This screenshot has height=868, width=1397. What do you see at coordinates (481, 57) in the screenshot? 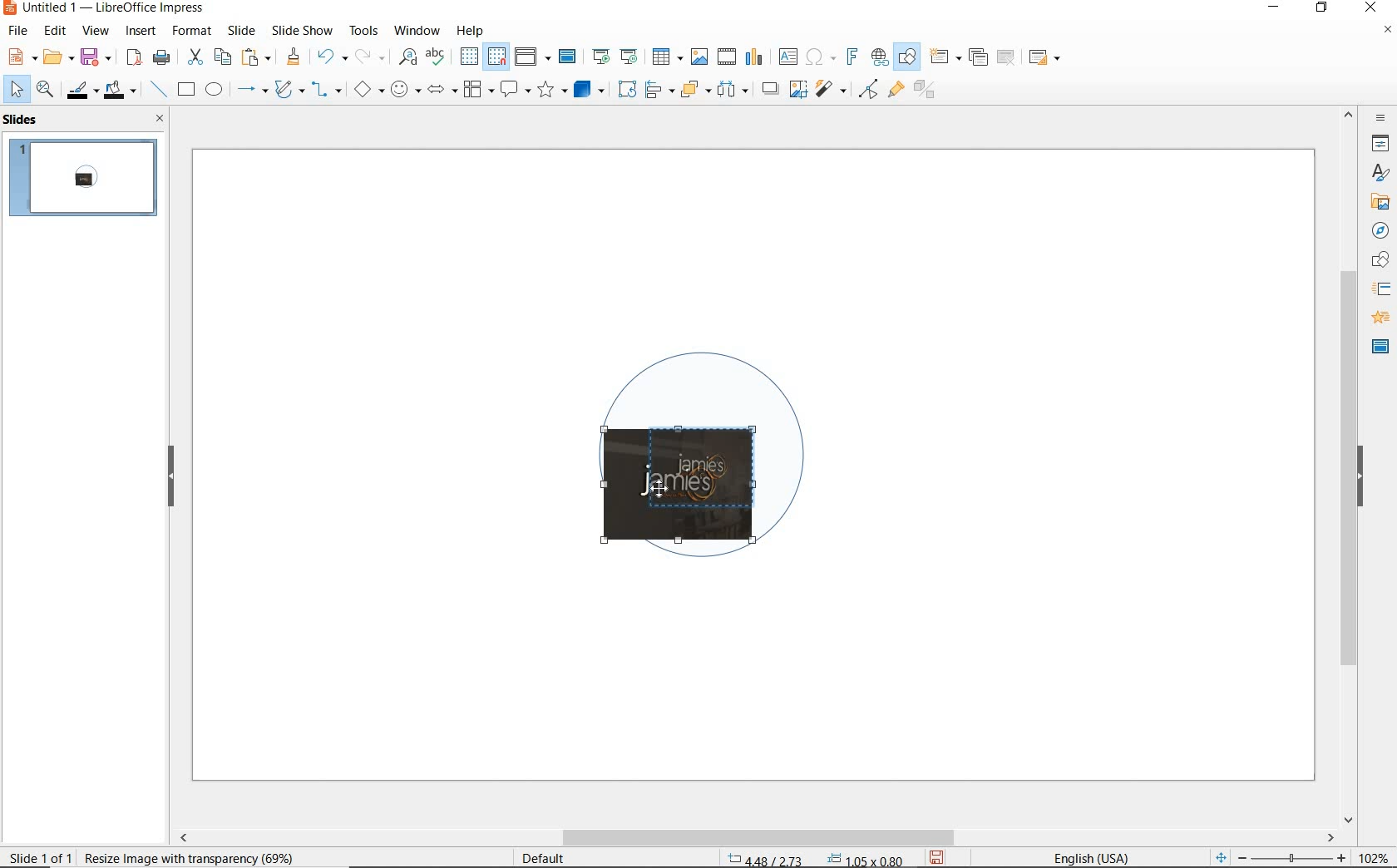
I see `display/snap grid` at bounding box center [481, 57].